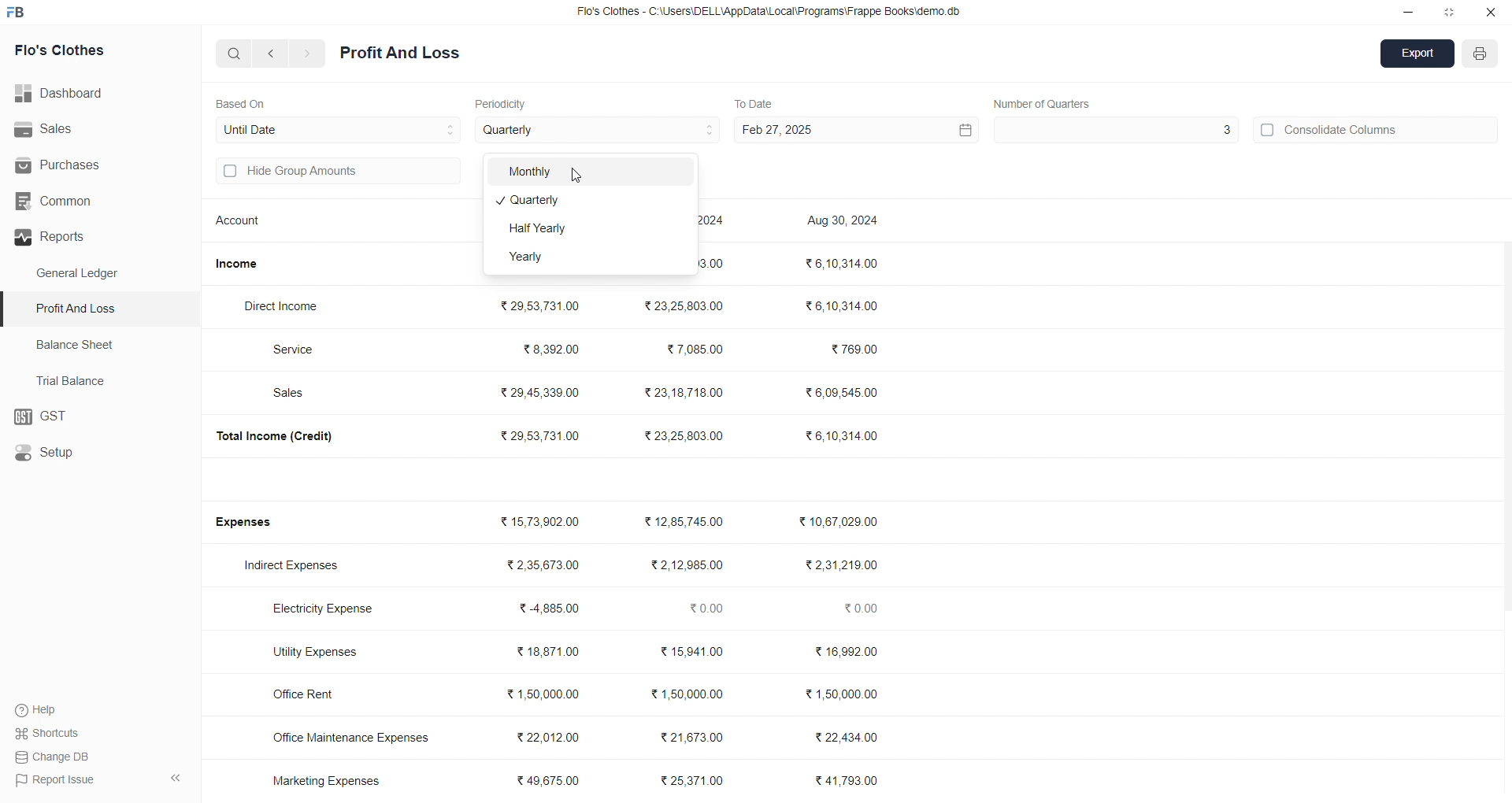 The image size is (1512, 803). I want to click on ₹21,673.00, so click(694, 736).